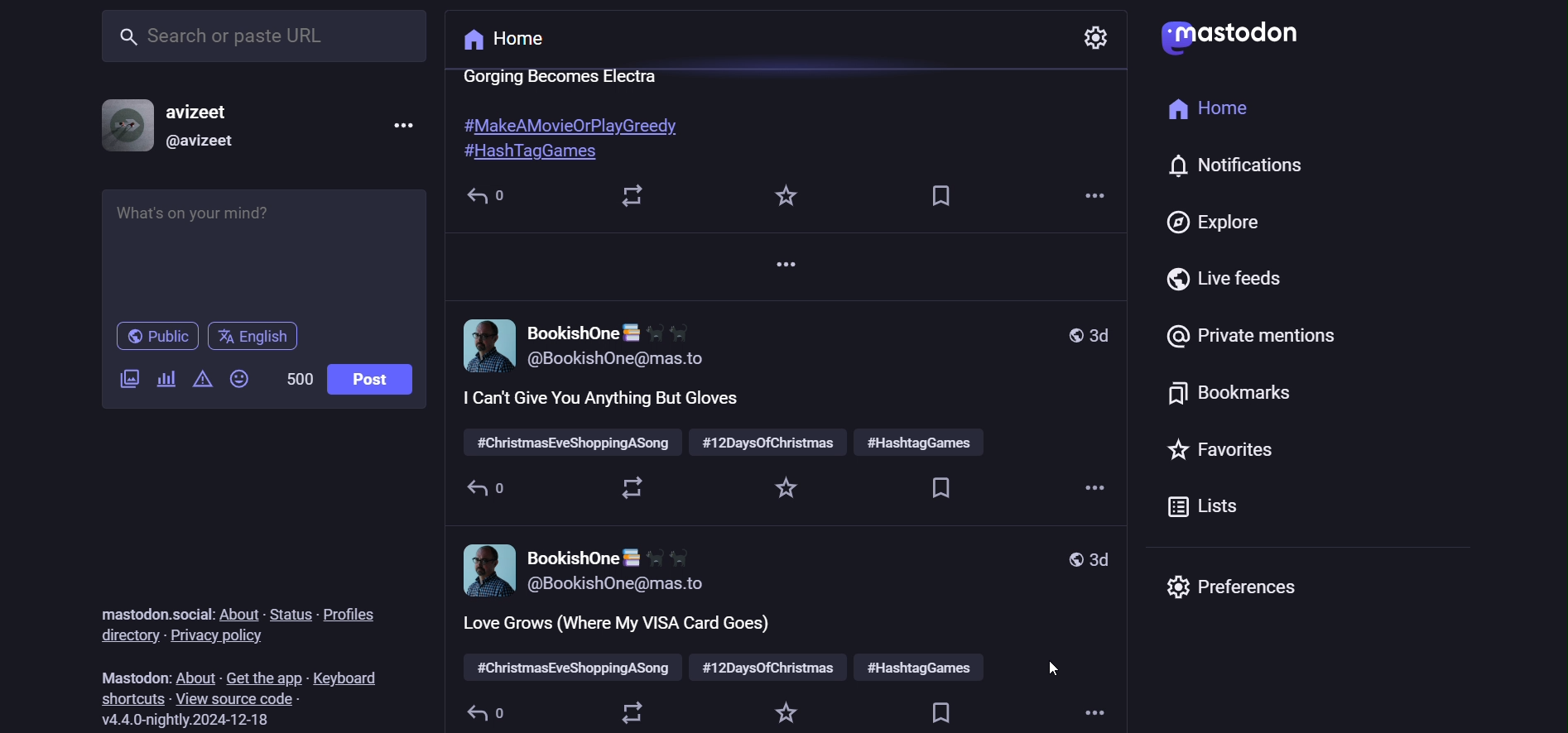 The height and width of the screenshot is (733, 1568). Describe the element at coordinates (406, 124) in the screenshot. I see `more` at that location.